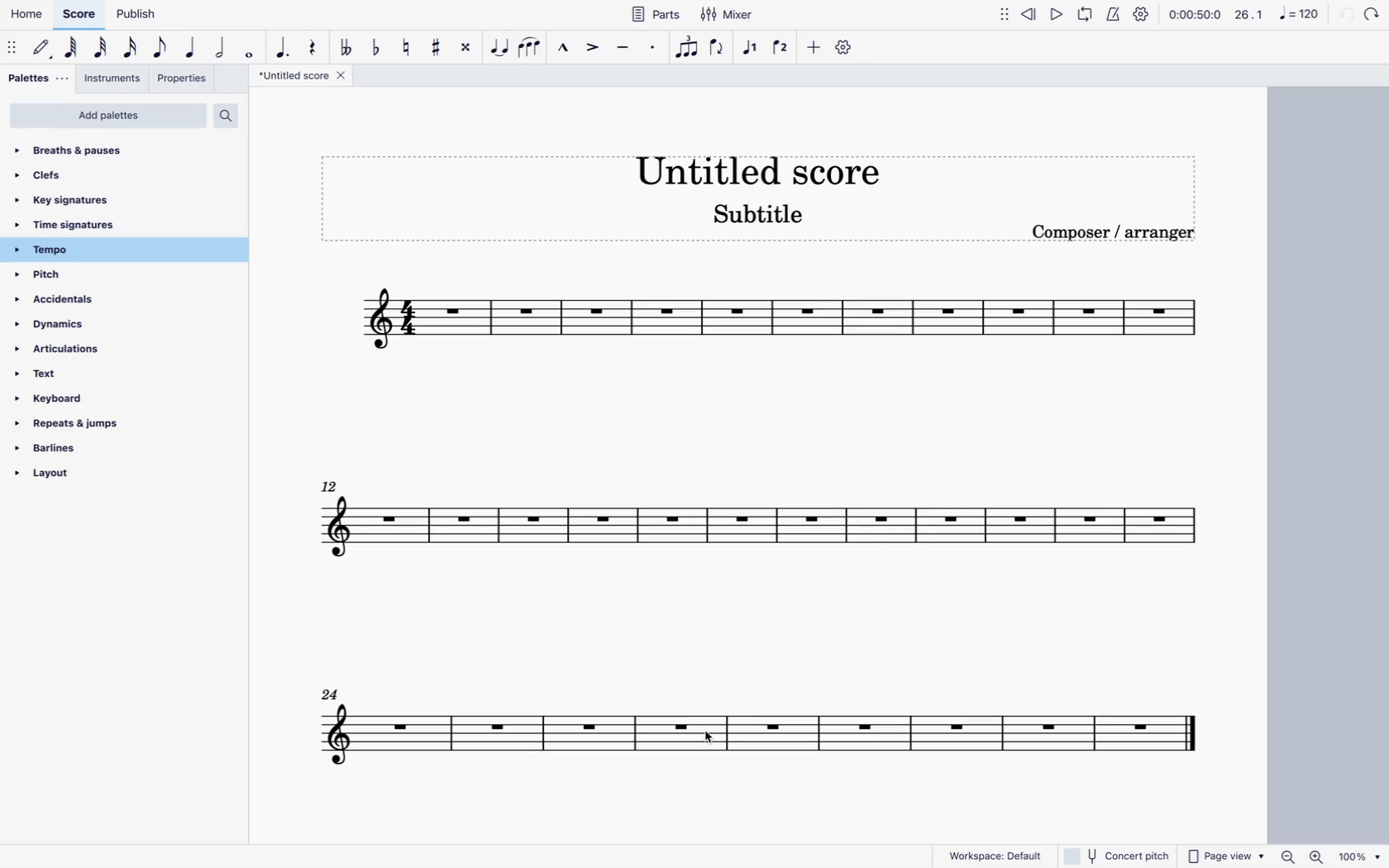 The height and width of the screenshot is (868, 1389). Describe the element at coordinates (687, 47) in the screenshot. I see `tuplet` at that location.